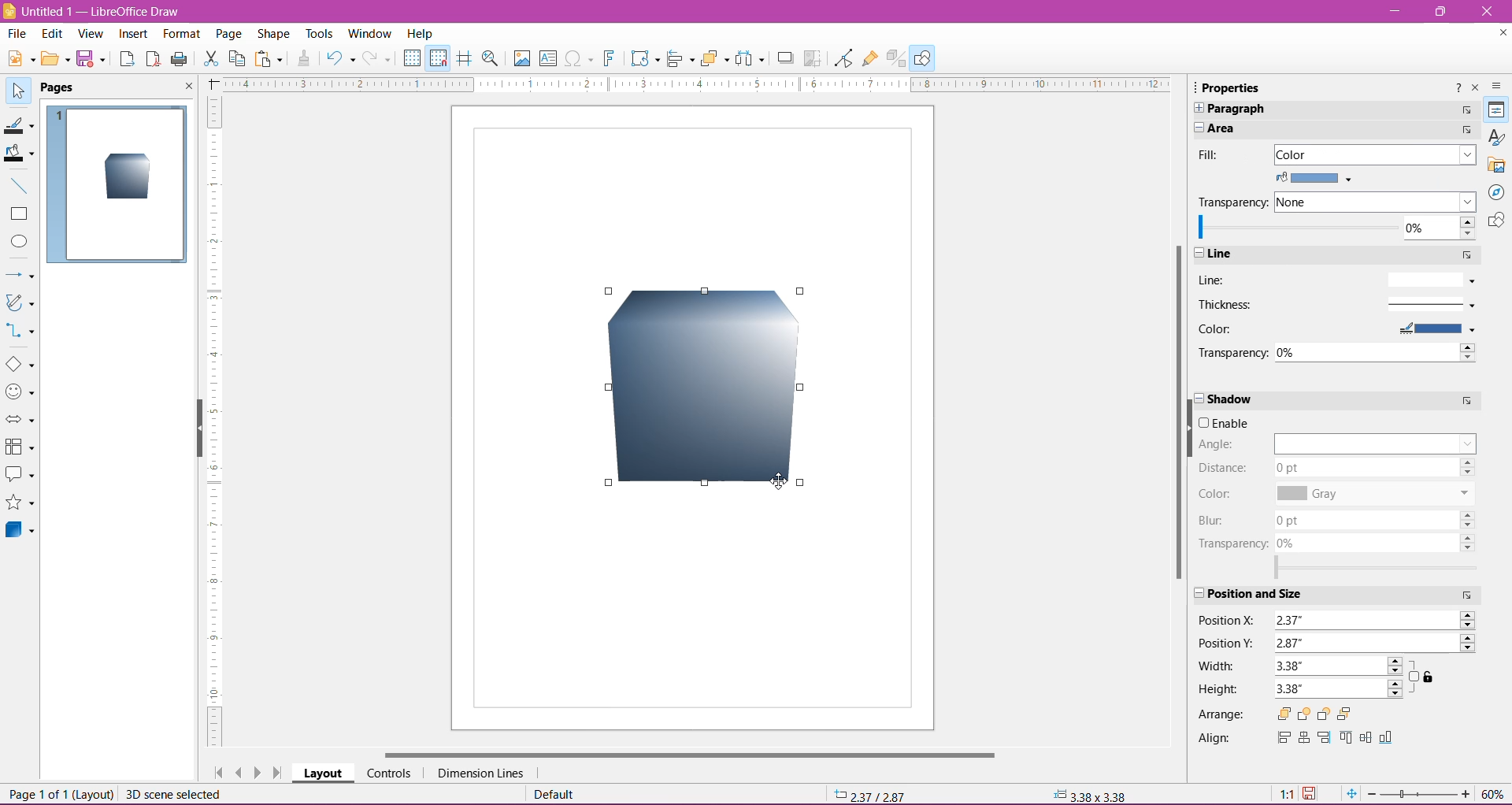 The image size is (1512, 805). I want to click on Controls, so click(388, 773).